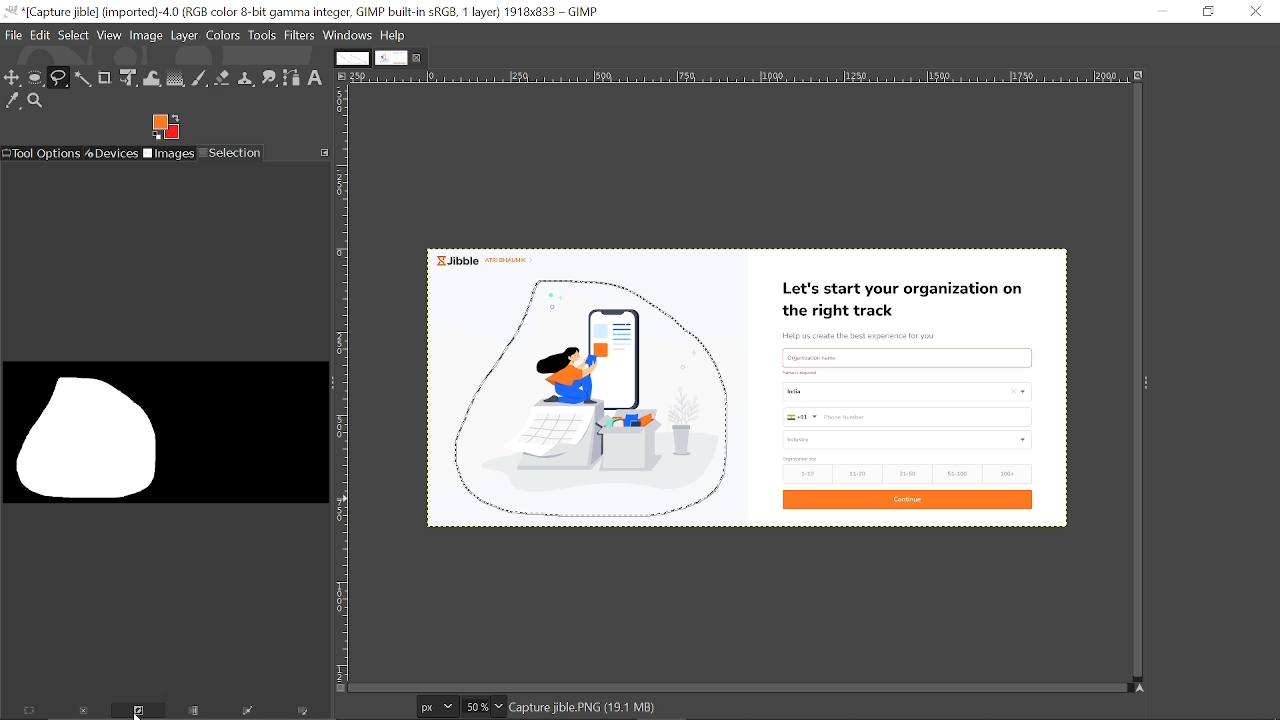 The width and height of the screenshot is (1280, 720). Describe the element at coordinates (74, 34) in the screenshot. I see `Select` at that location.